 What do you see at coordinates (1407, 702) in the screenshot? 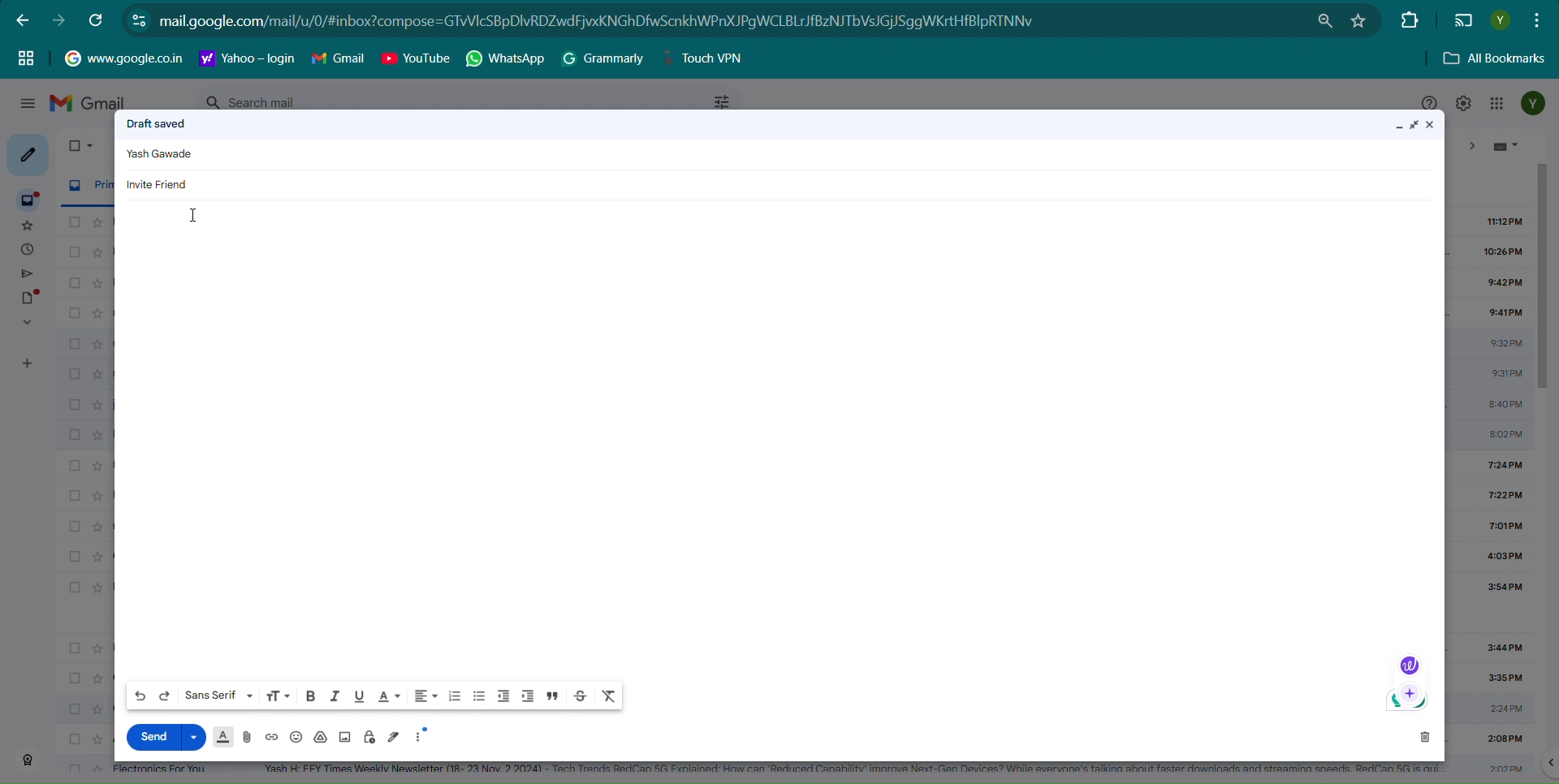
I see `Logo` at bounding box center [1407, 702].